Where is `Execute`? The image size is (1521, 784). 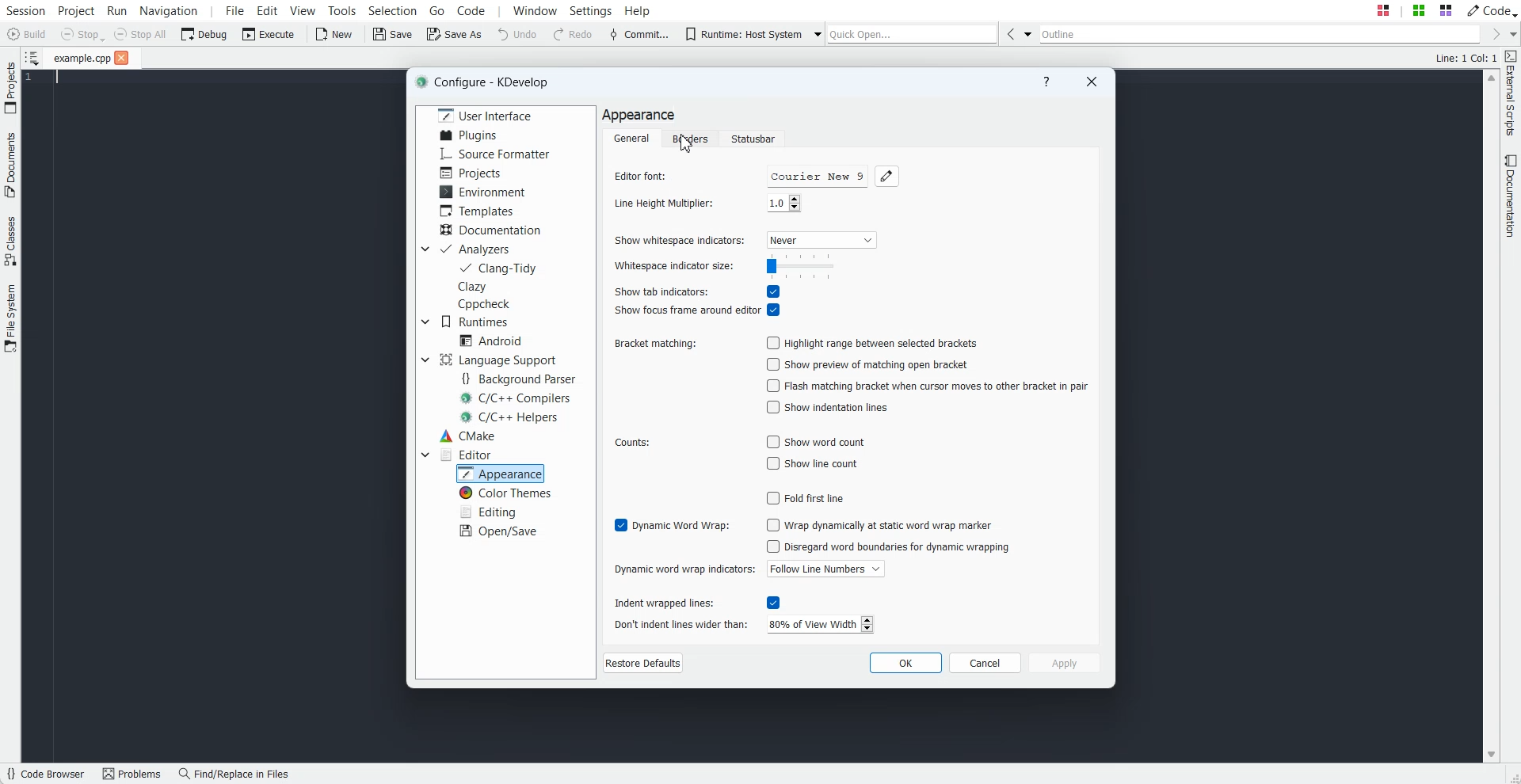 Execute is located at coordinates (269, 34).